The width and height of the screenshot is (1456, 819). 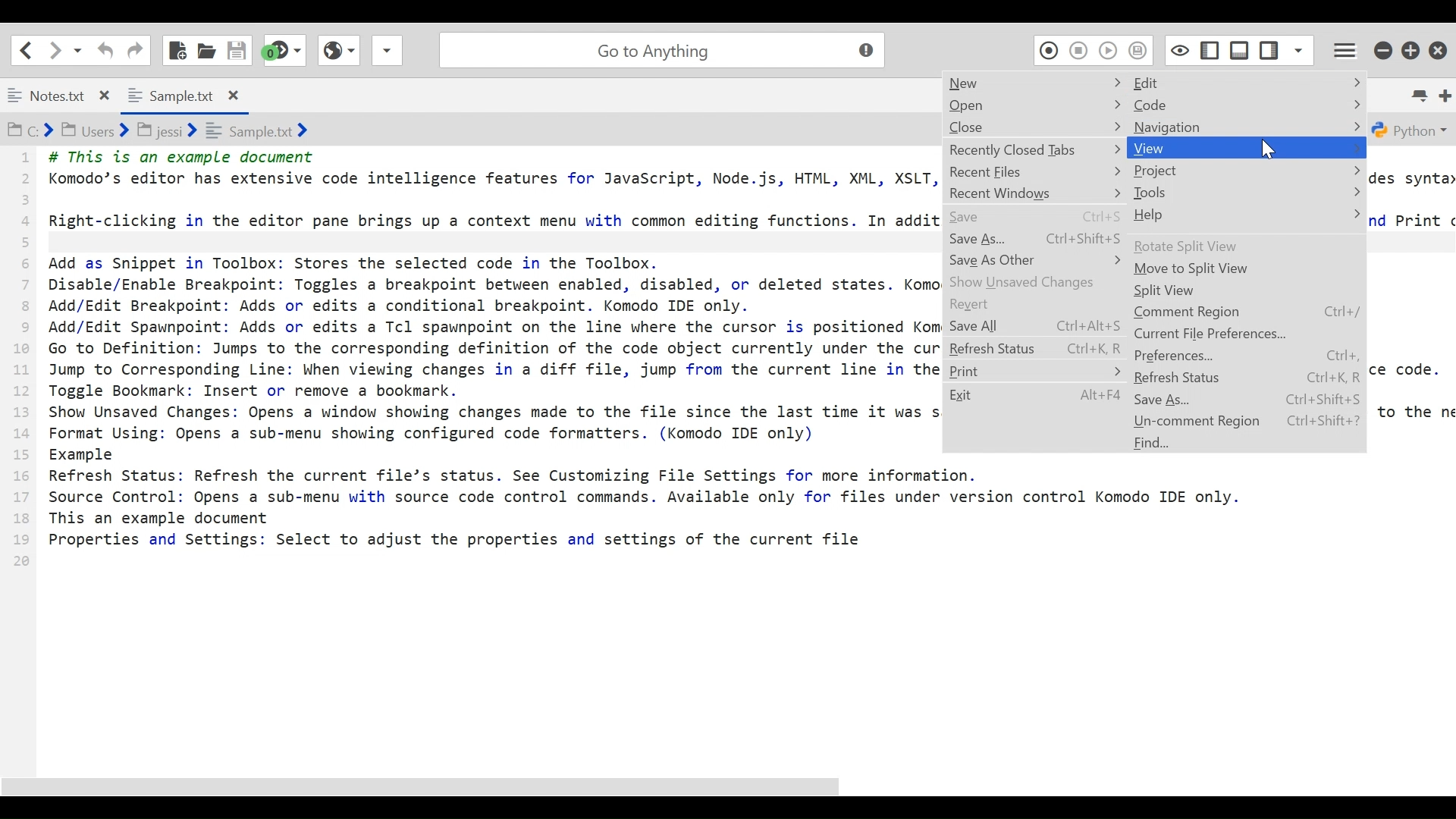 I want to click on Application menu, so click(x=1347, y=50).